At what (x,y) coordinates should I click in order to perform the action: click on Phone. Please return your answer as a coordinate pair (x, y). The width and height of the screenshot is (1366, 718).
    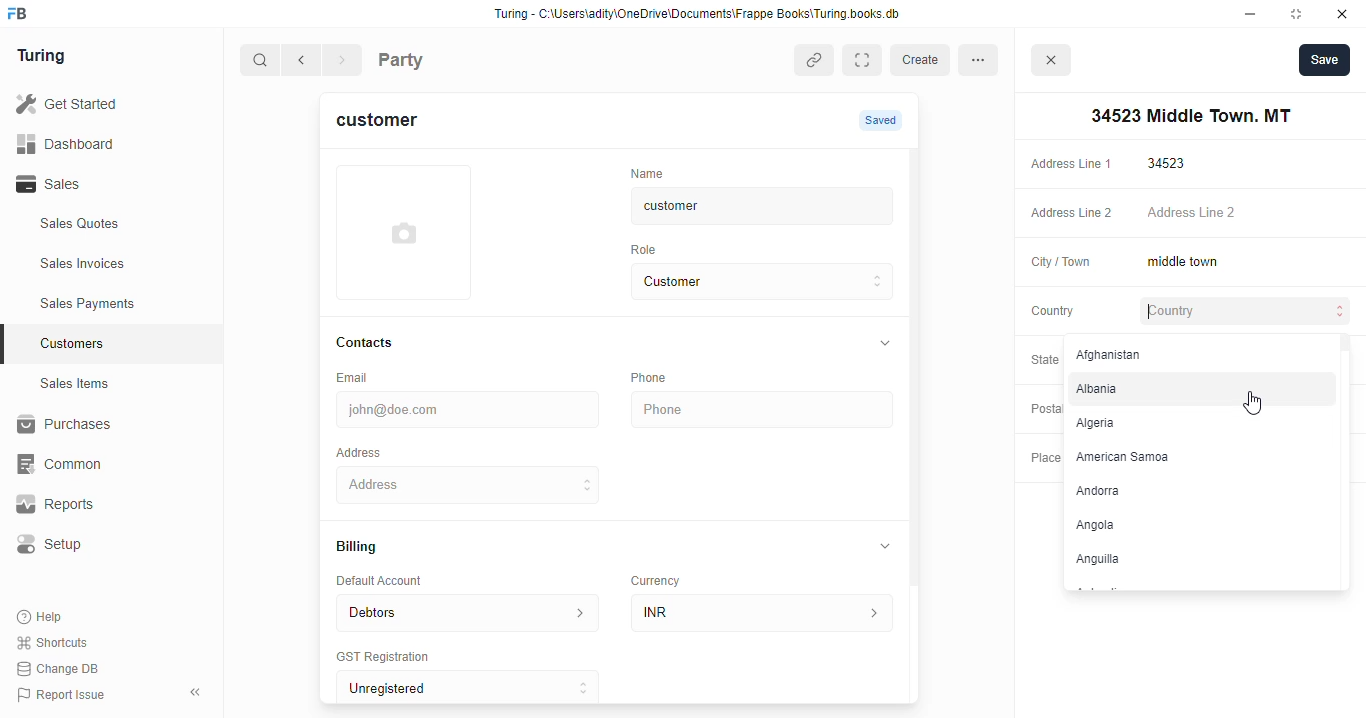
    Looking at the image, I should click on (767, 410).